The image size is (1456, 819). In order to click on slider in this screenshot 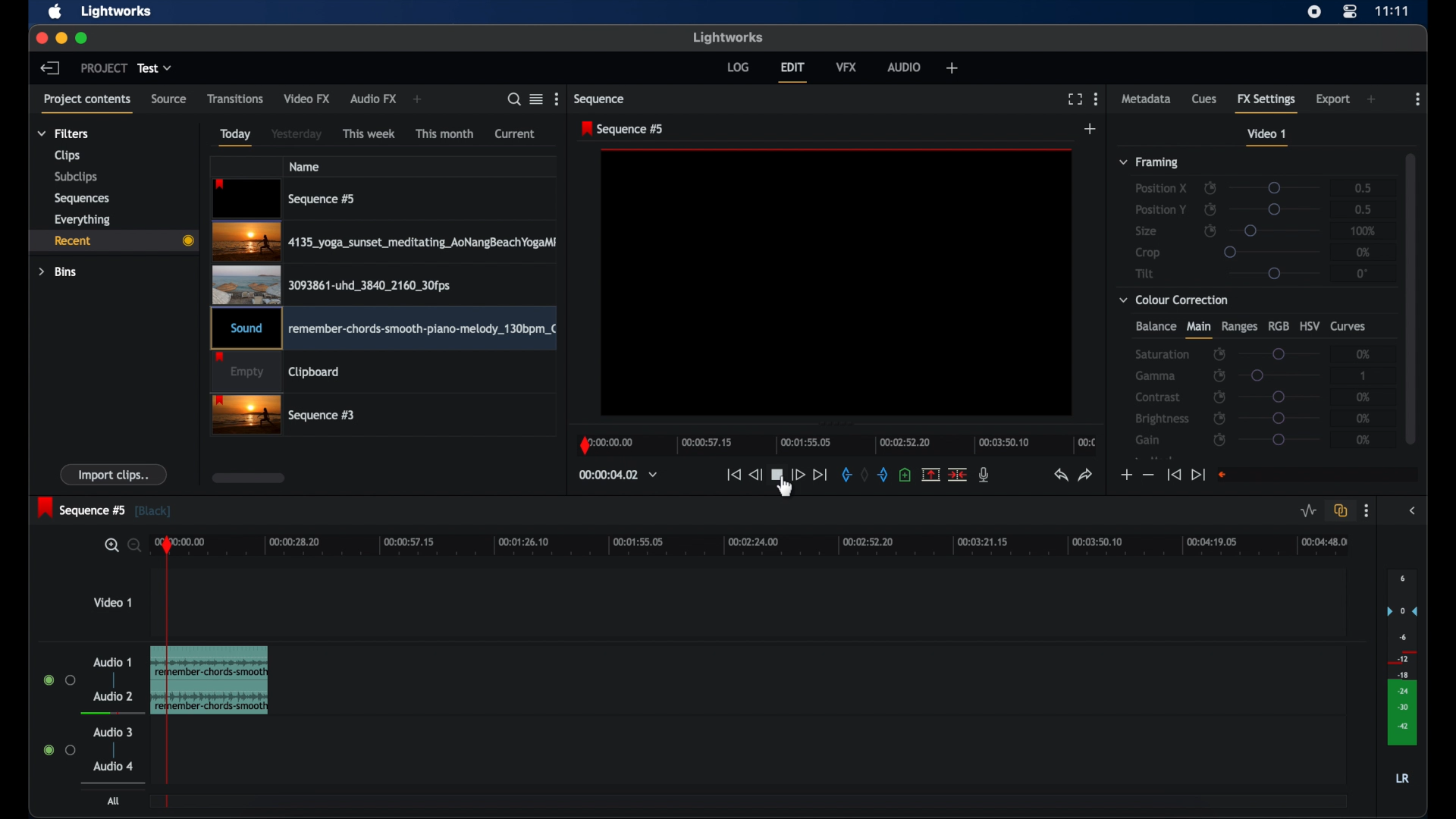, I will do `click(1276, 188)`.